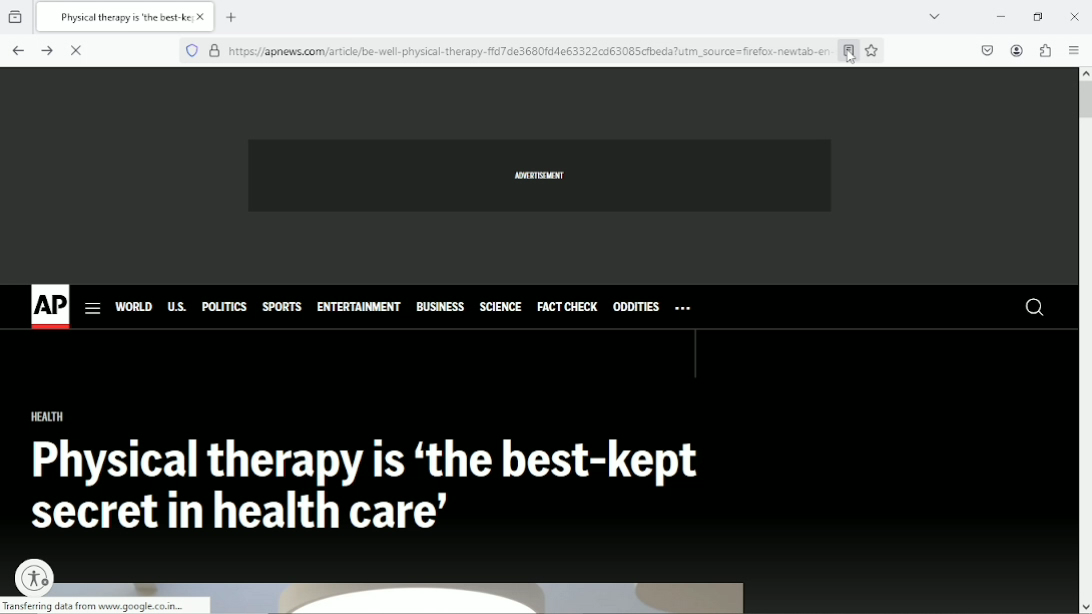  What do you see at coordinates (359, 306) in the screenshot?
I see `ENTERTAINMENT ` at bounding box center [359, 306].